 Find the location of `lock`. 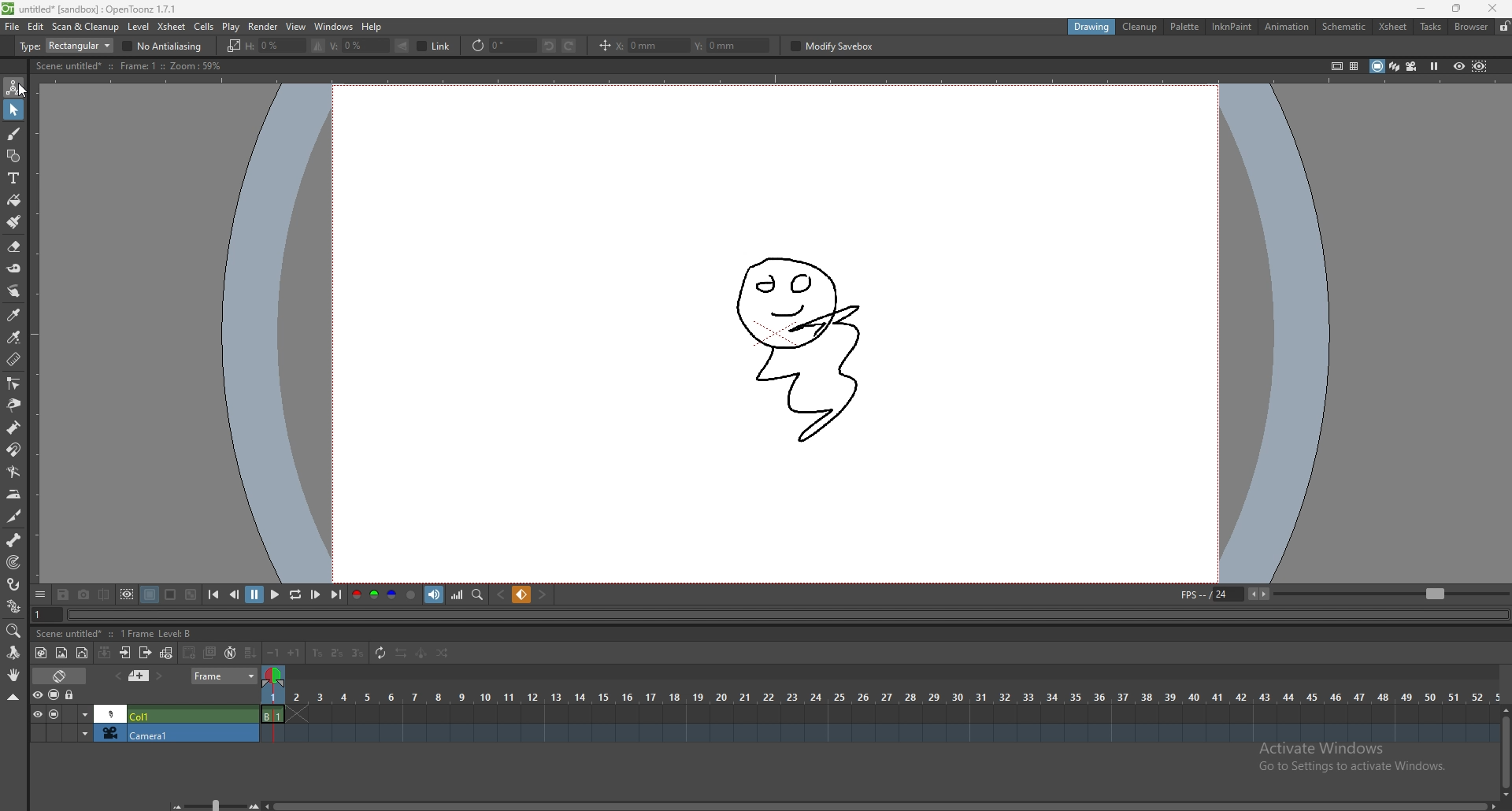

lock is located at coordinates (1503, 26).